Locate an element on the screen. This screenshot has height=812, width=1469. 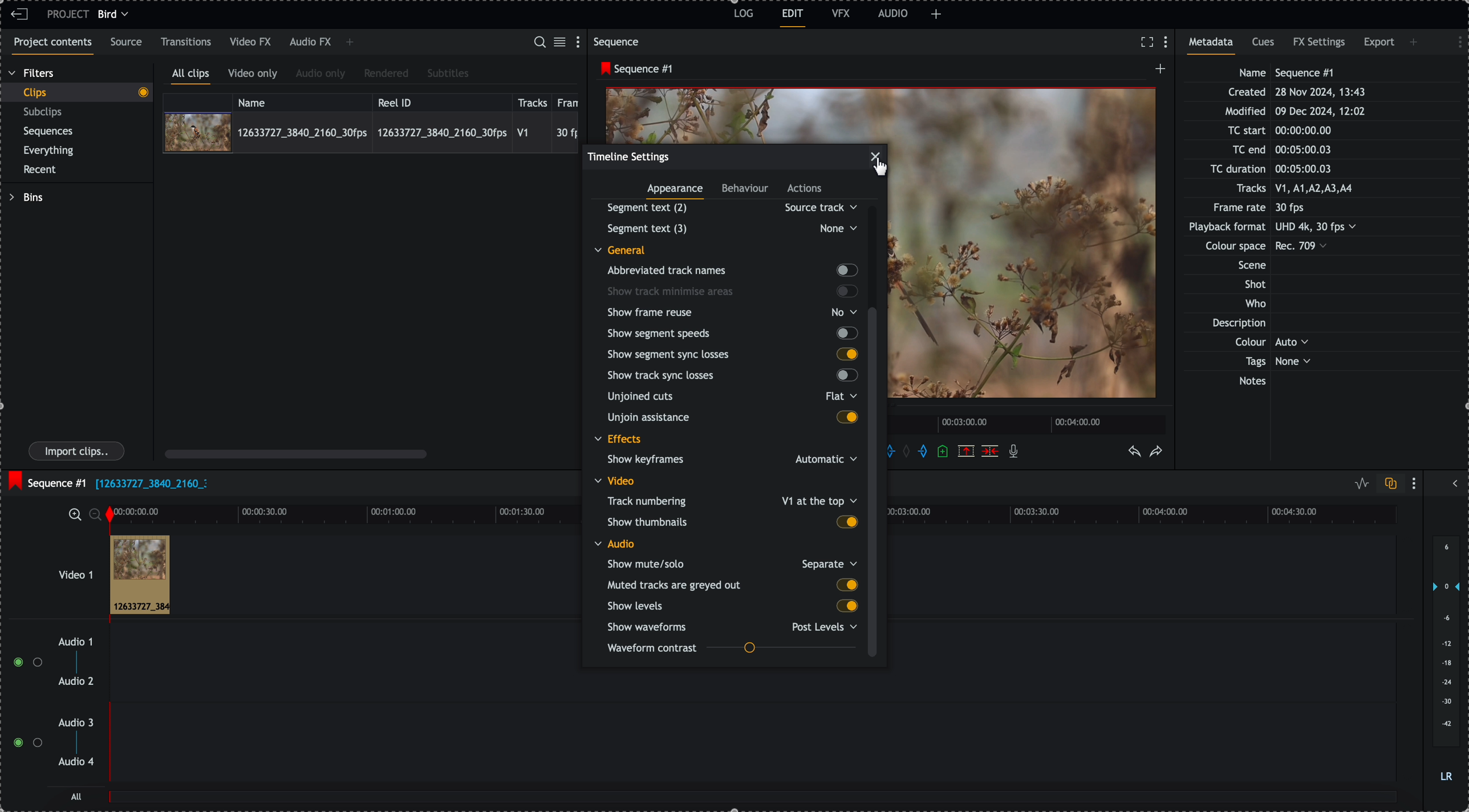
audio is located at coordinates (615, 543).